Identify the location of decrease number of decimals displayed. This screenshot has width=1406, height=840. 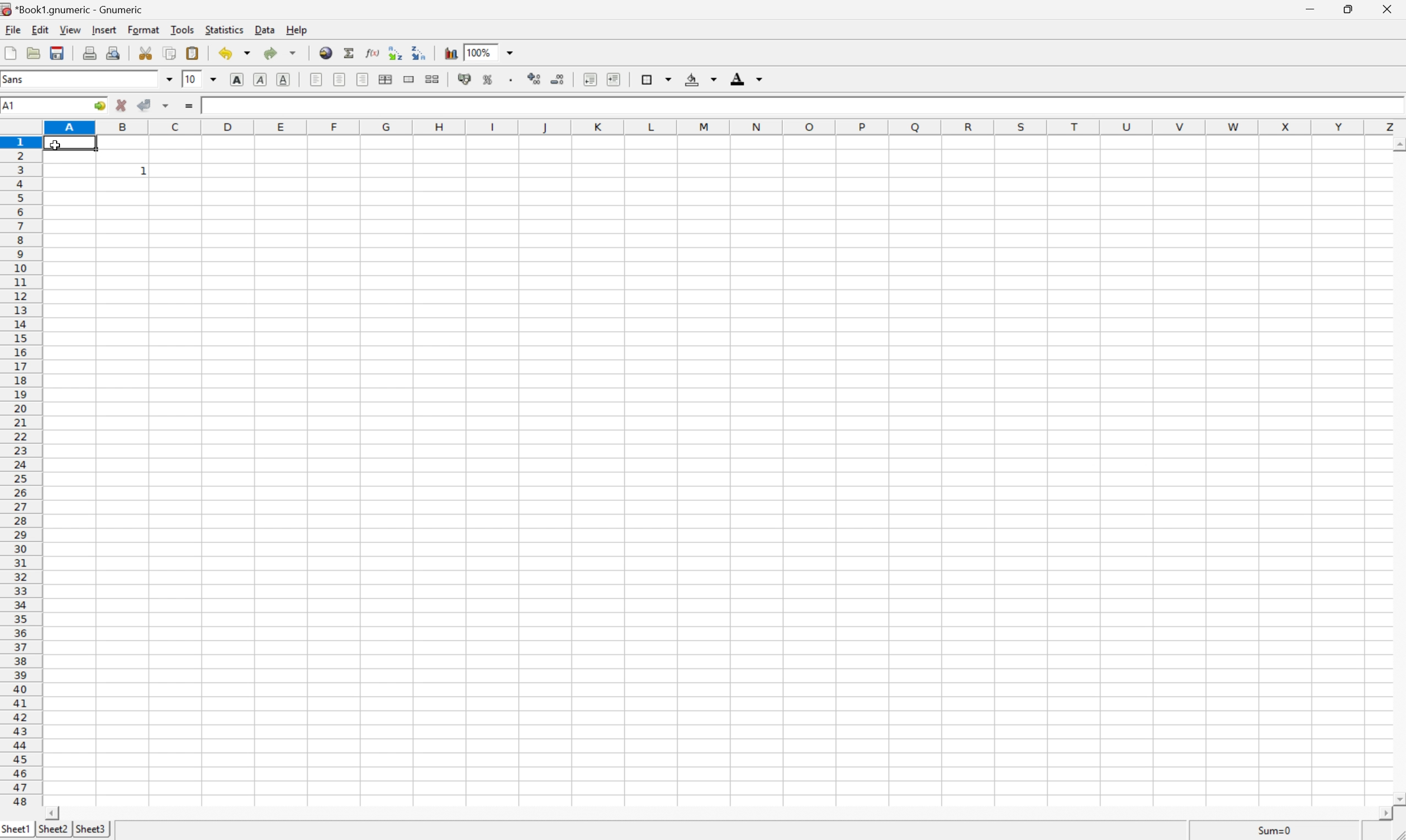
(559, 79).